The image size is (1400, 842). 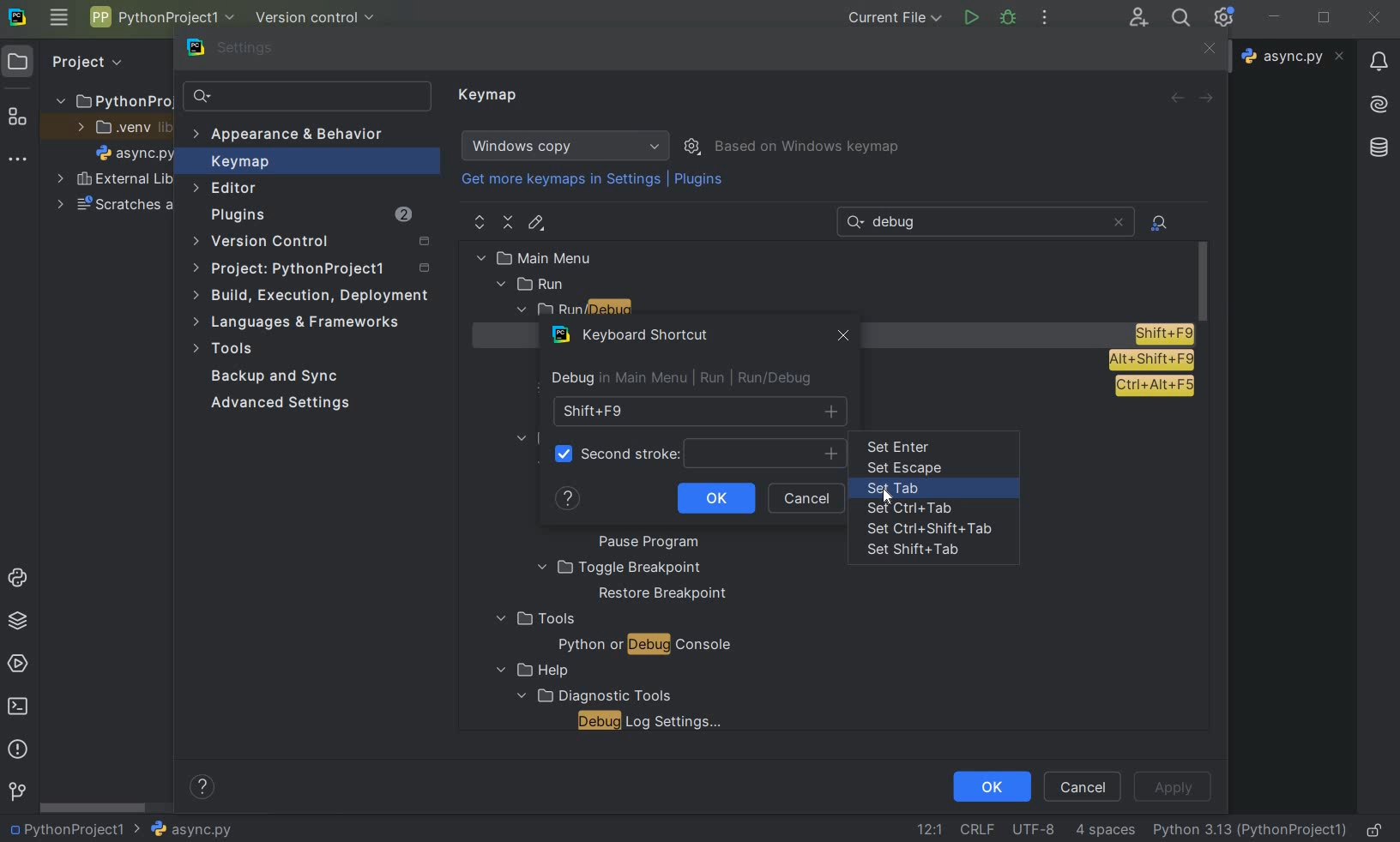 I want to click on indent, so click(x=1105, y=830).